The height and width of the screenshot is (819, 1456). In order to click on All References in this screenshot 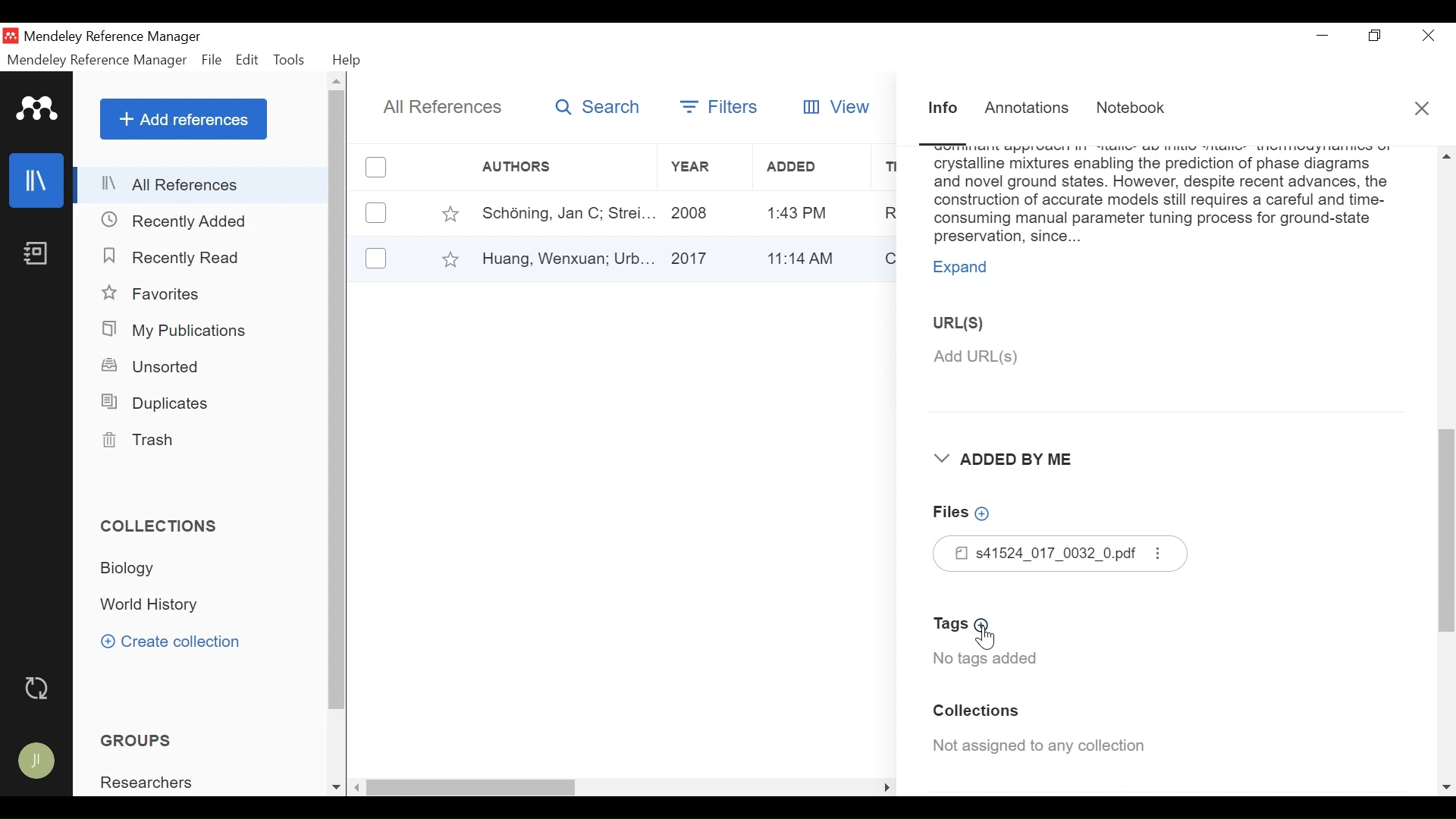, I will do `click(441, 108)`.